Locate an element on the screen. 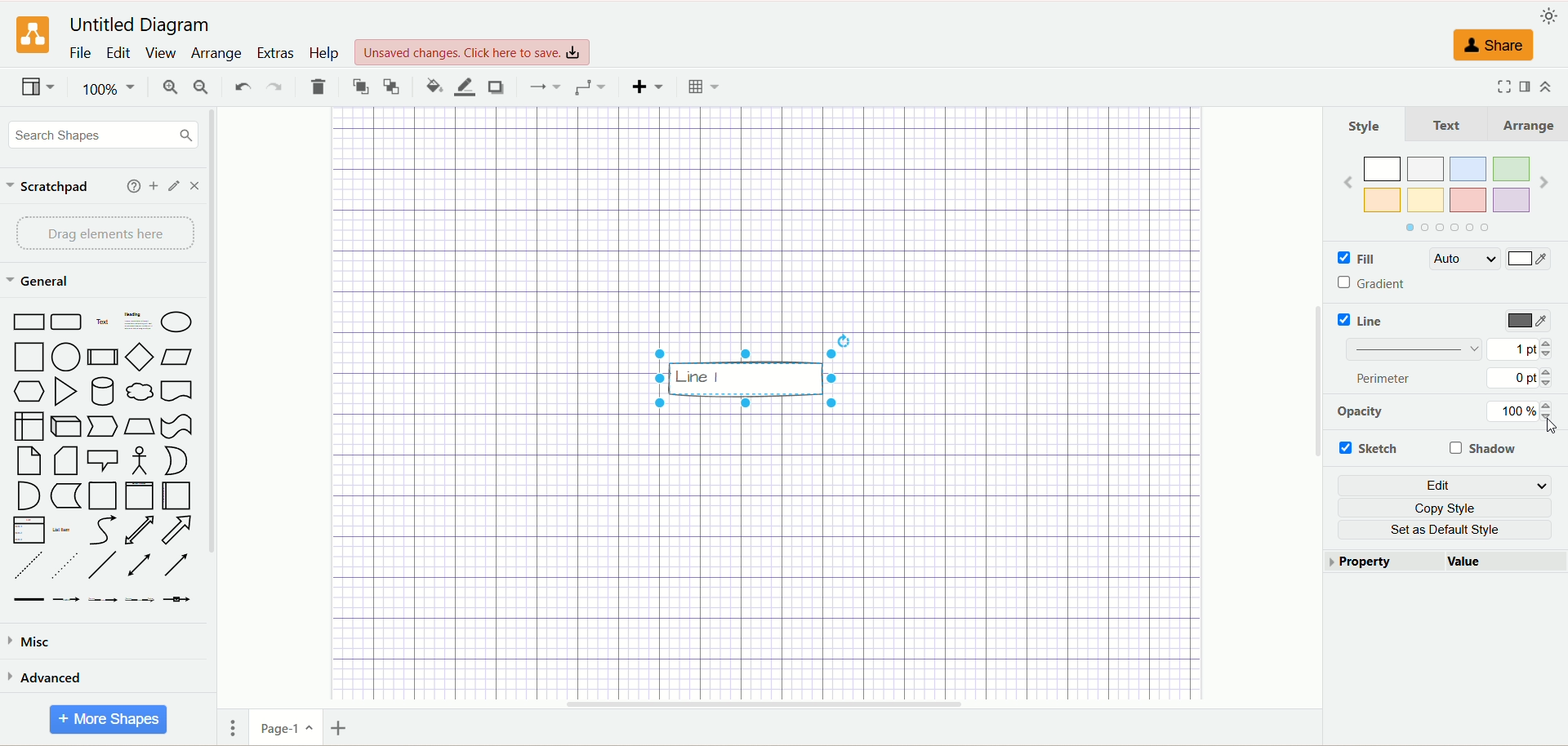 This screenshot has height=746, width=1568. Directional Arrow is located at coordinates (175, 566).